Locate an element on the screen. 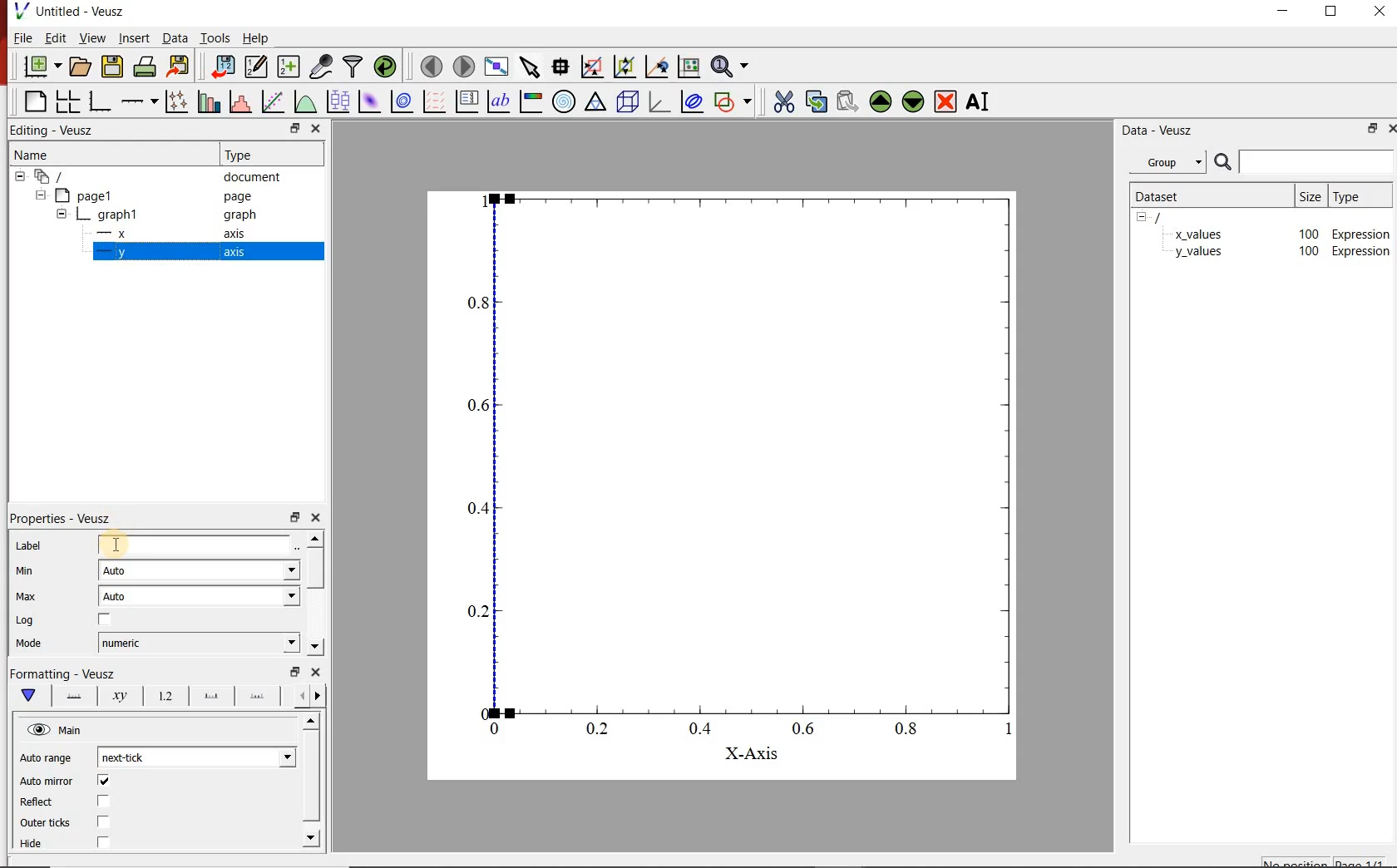 Image resolution: width=1397 pixels, height=868 pixels. filter data is located at coordinates (353, 67).